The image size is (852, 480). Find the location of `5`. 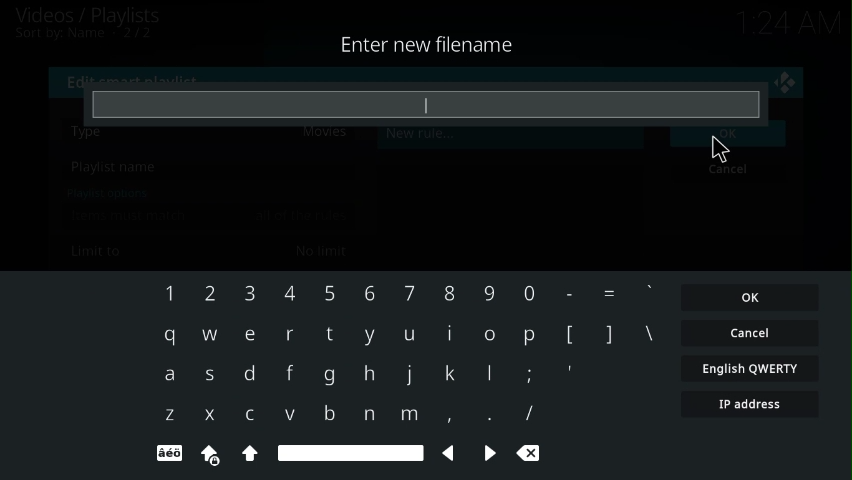

5 is located at coordinates (330, 293).